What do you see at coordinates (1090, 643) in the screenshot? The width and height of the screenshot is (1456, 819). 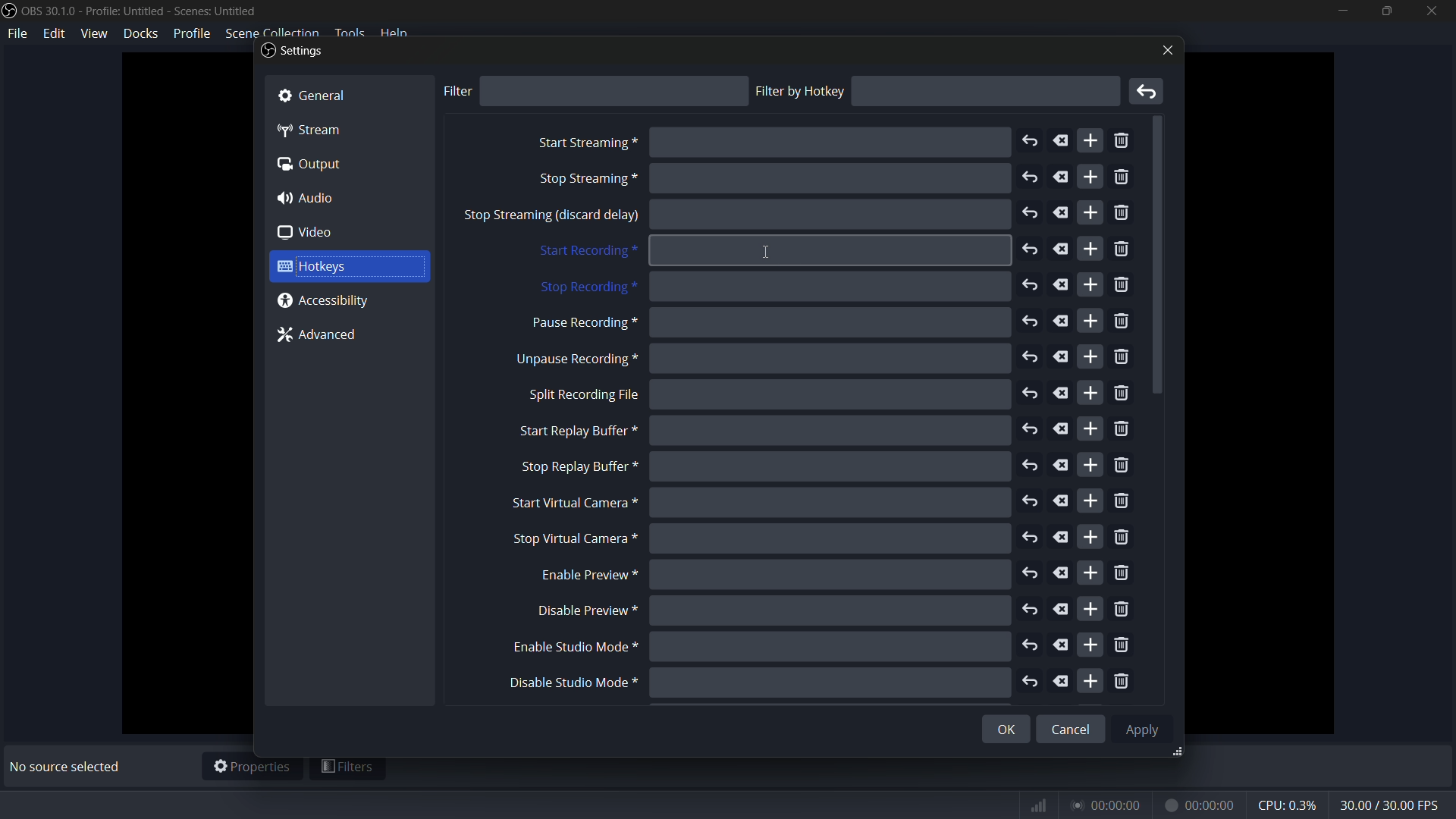 I see `add more` at bounding box center [1090, 643].